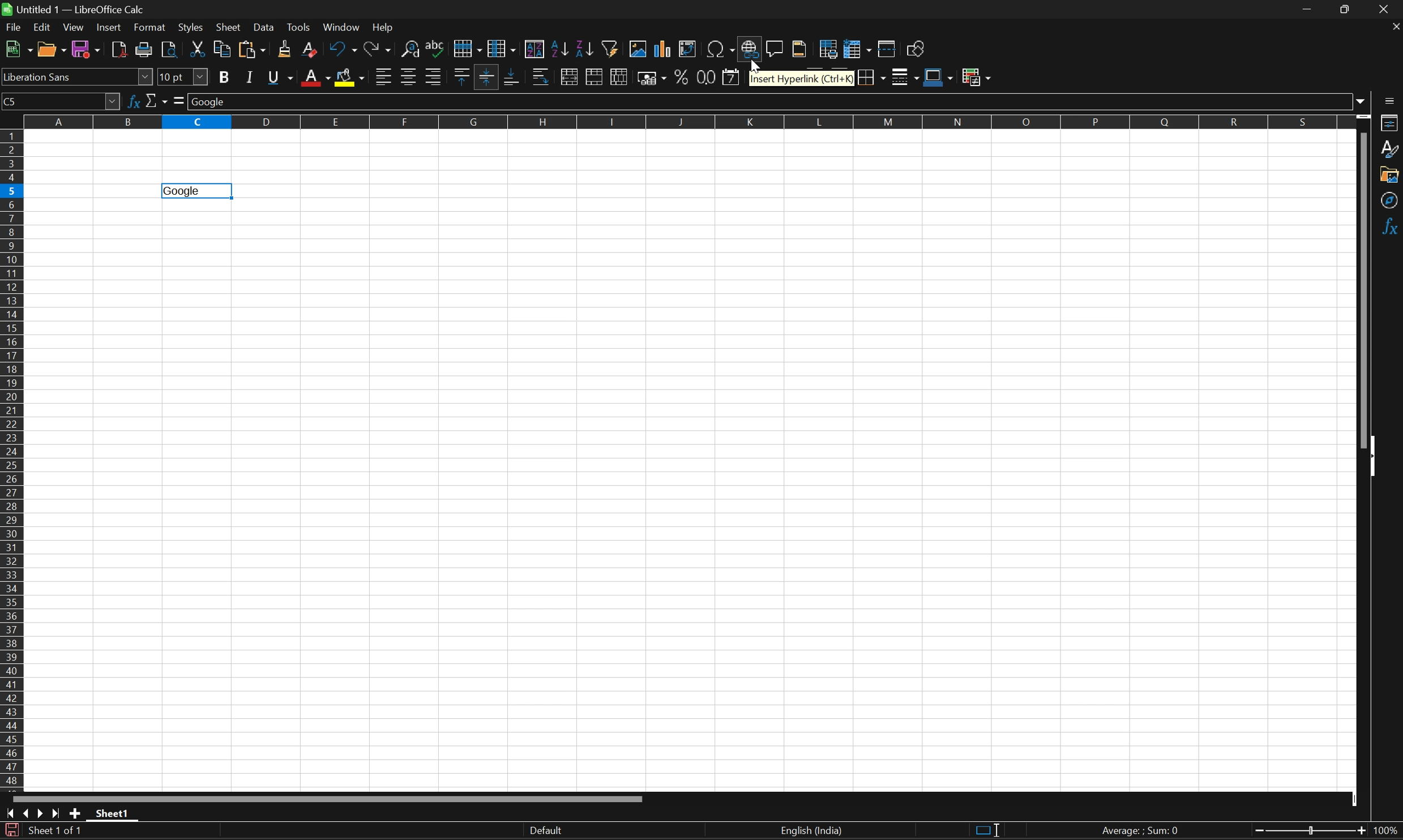  Describe the element at coordinates (412, 48) in the screenshot. I see `Find and replace` at that location.